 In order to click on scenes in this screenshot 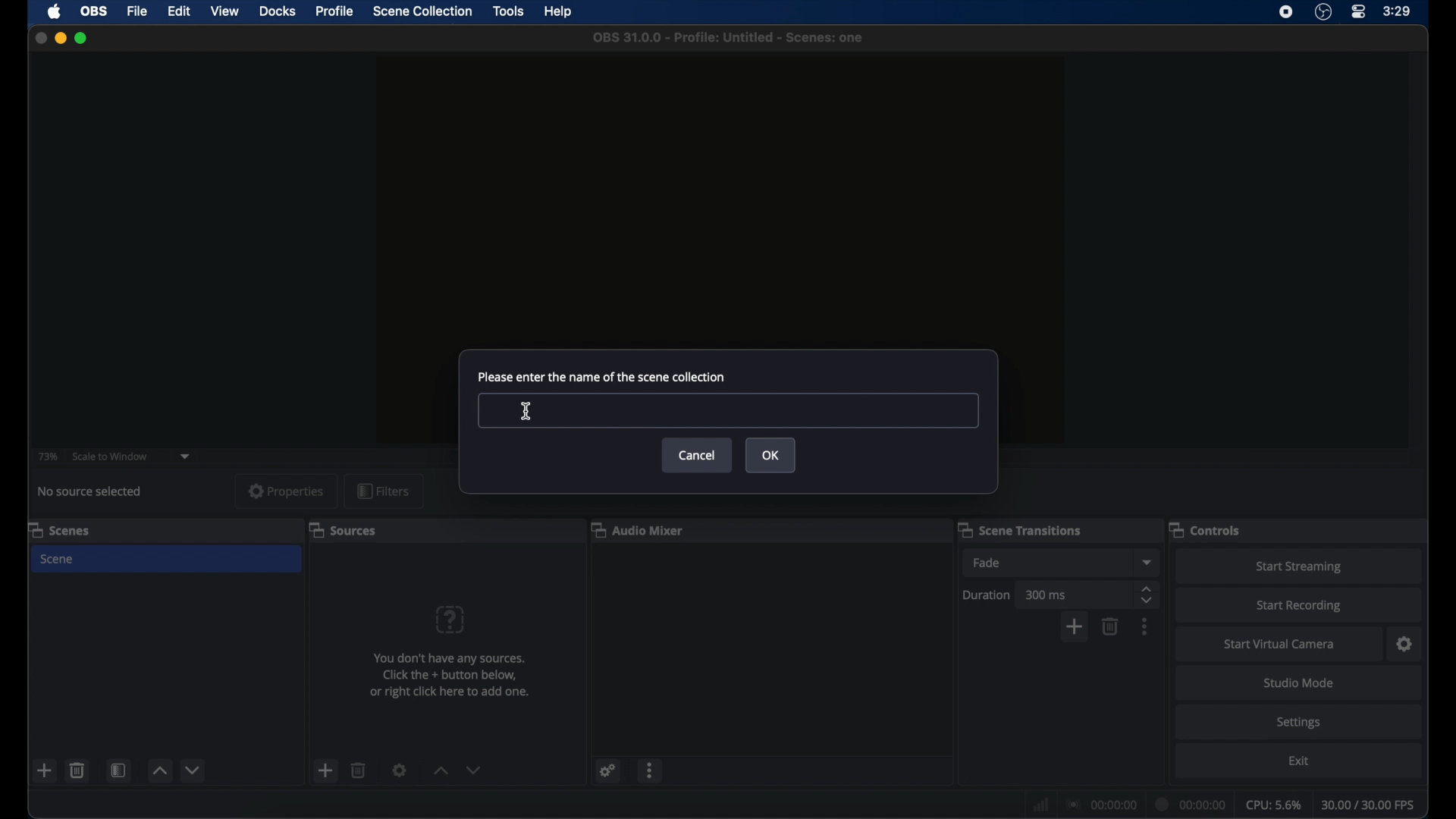, I will do `click(60, 529)`.